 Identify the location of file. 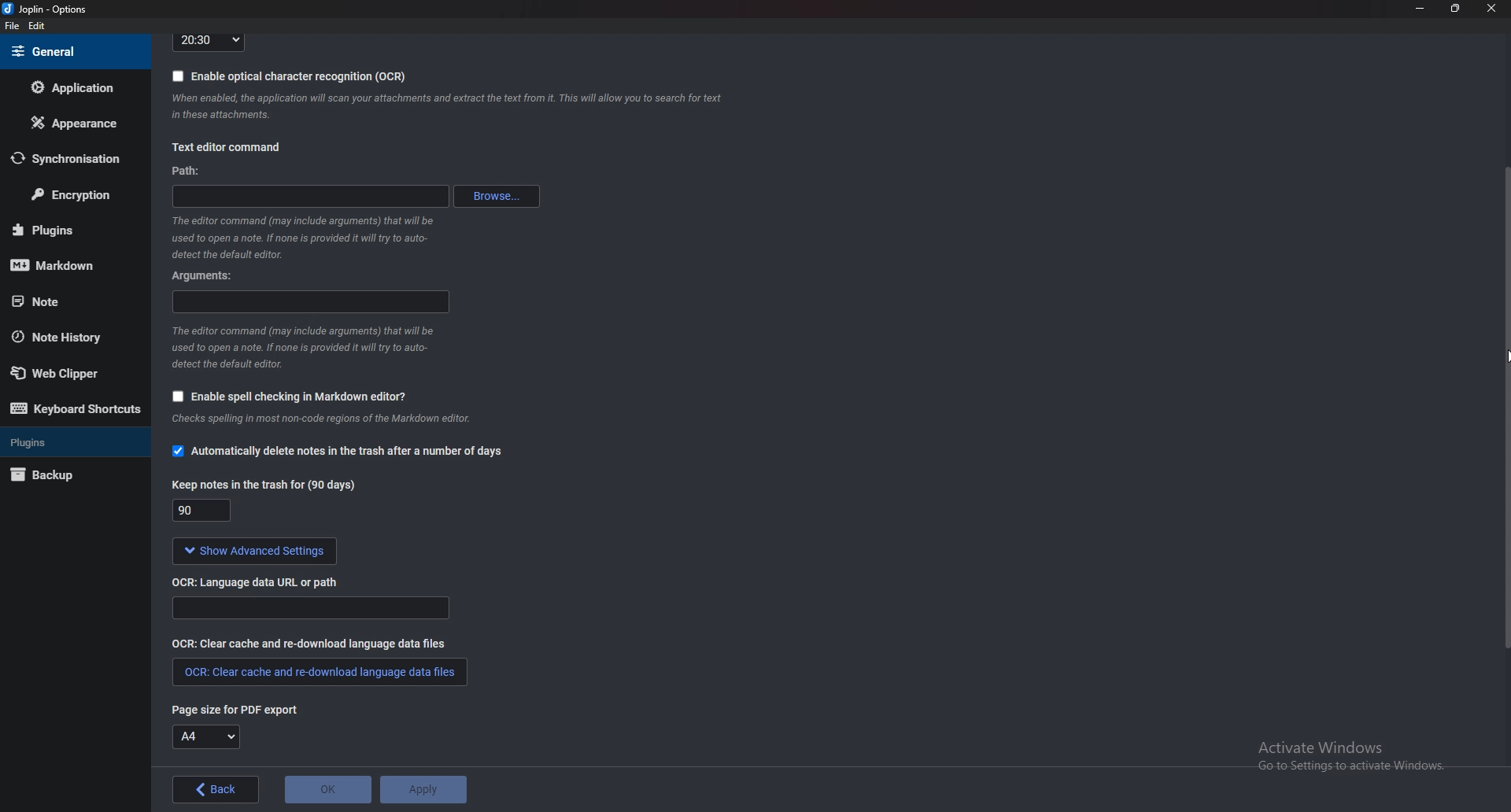
(14, 26).